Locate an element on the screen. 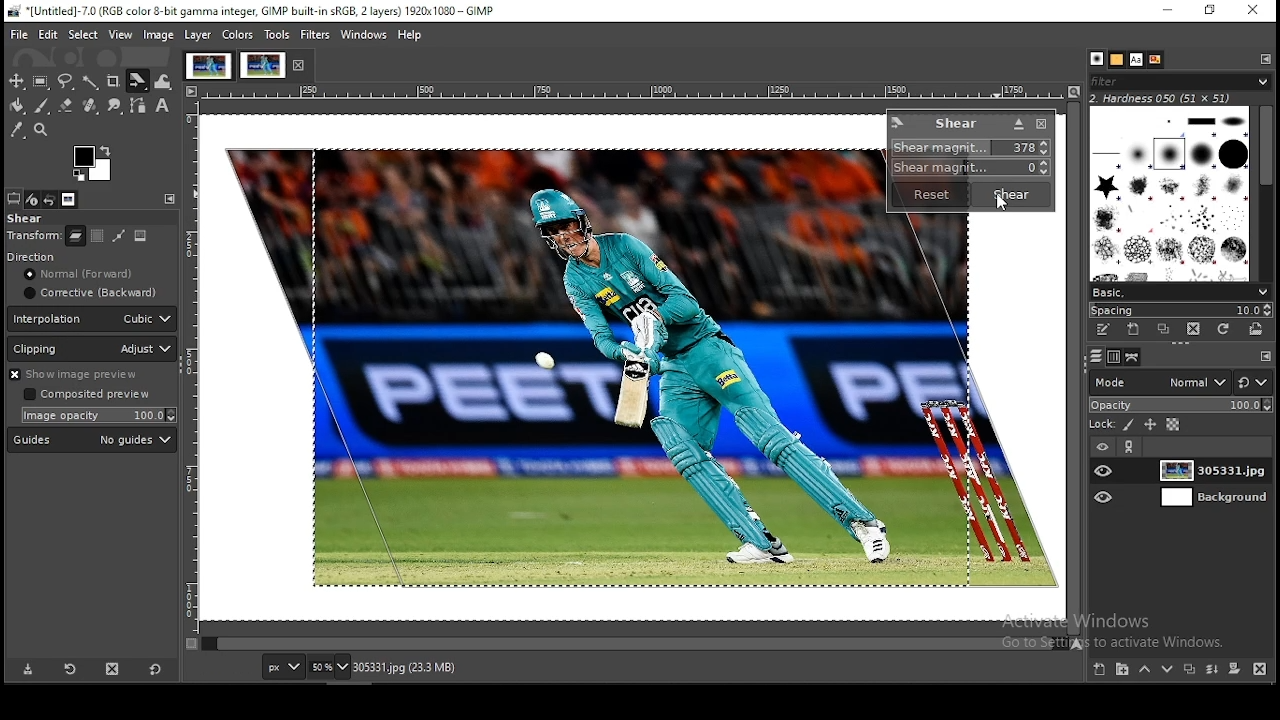 This screenshot has width=1280, height=720. normal [forward] is located at coordinates (93, 274).